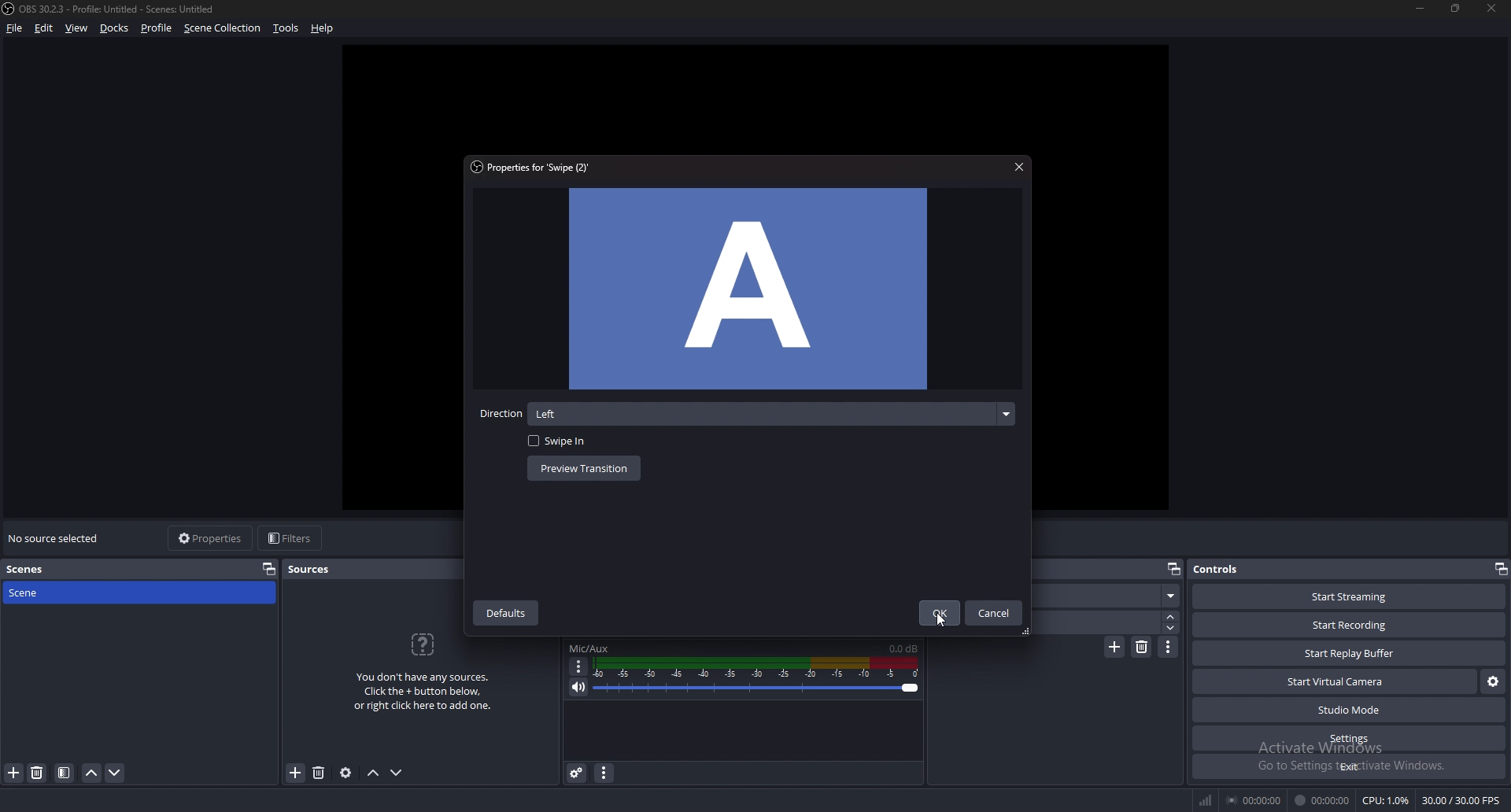  I want to click on mute, so click(578, 688).